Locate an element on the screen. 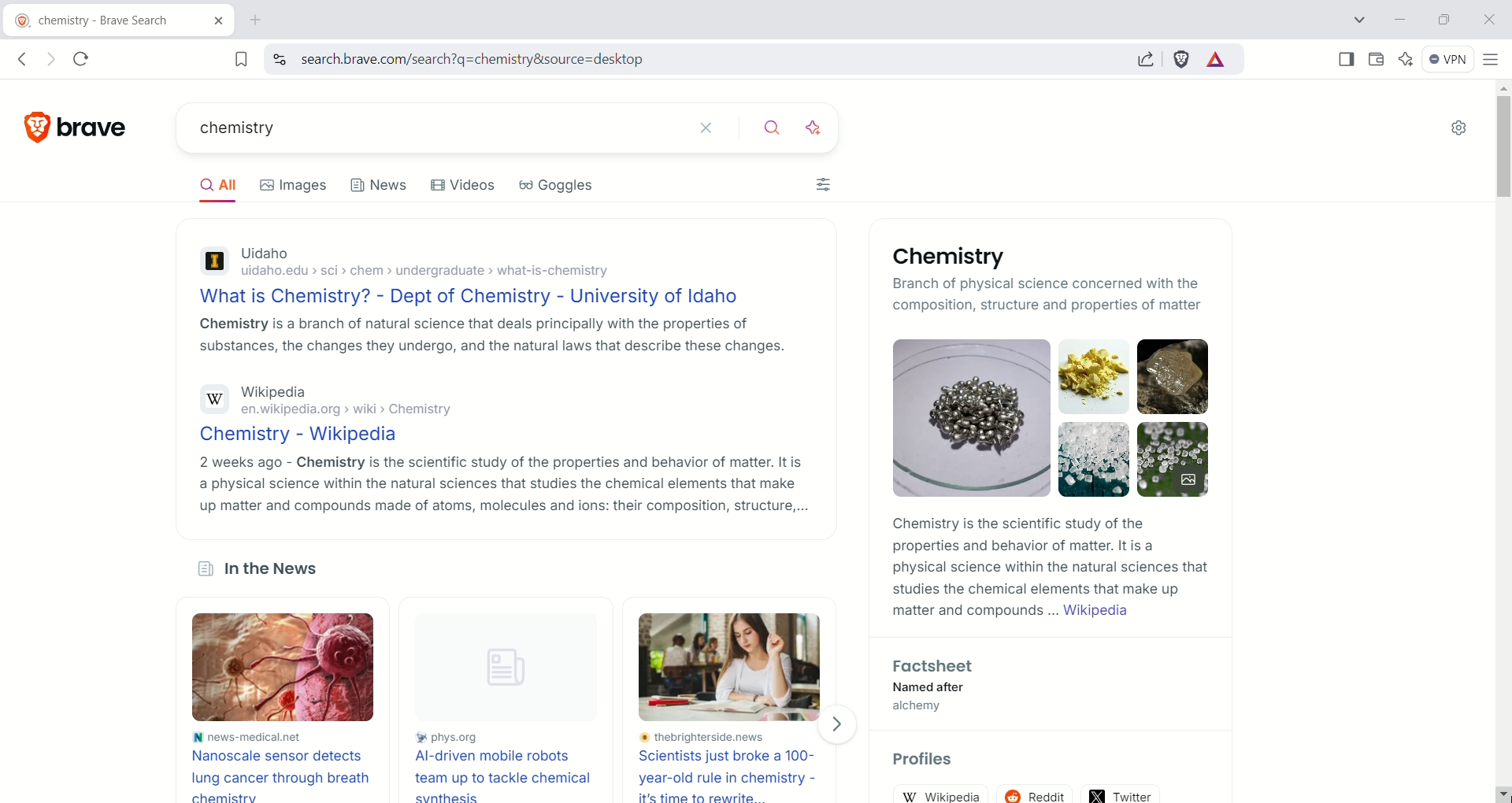 The image size is (1512, 803). filters is located at coordinates (825, 187).